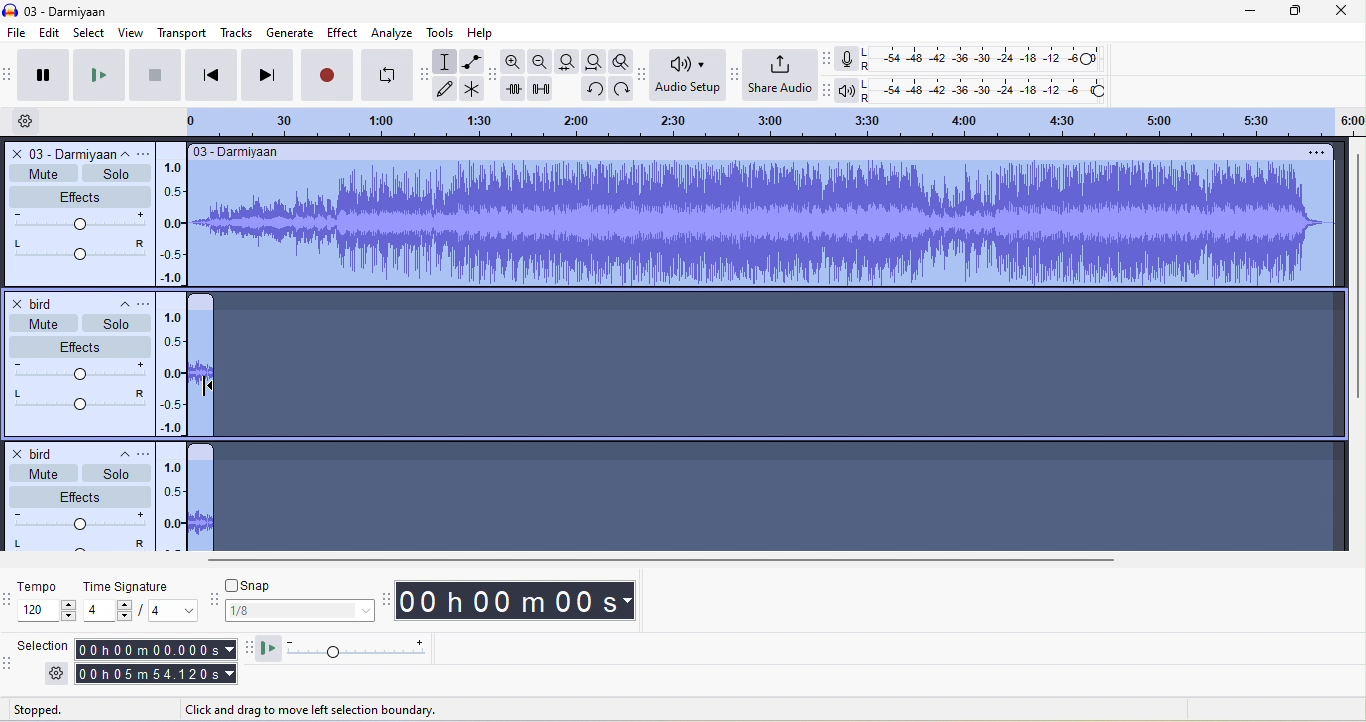  What do you see at coordinates (595, 63) in the screenshot?
I see `fit project to width` at bounding box center [595, 63].